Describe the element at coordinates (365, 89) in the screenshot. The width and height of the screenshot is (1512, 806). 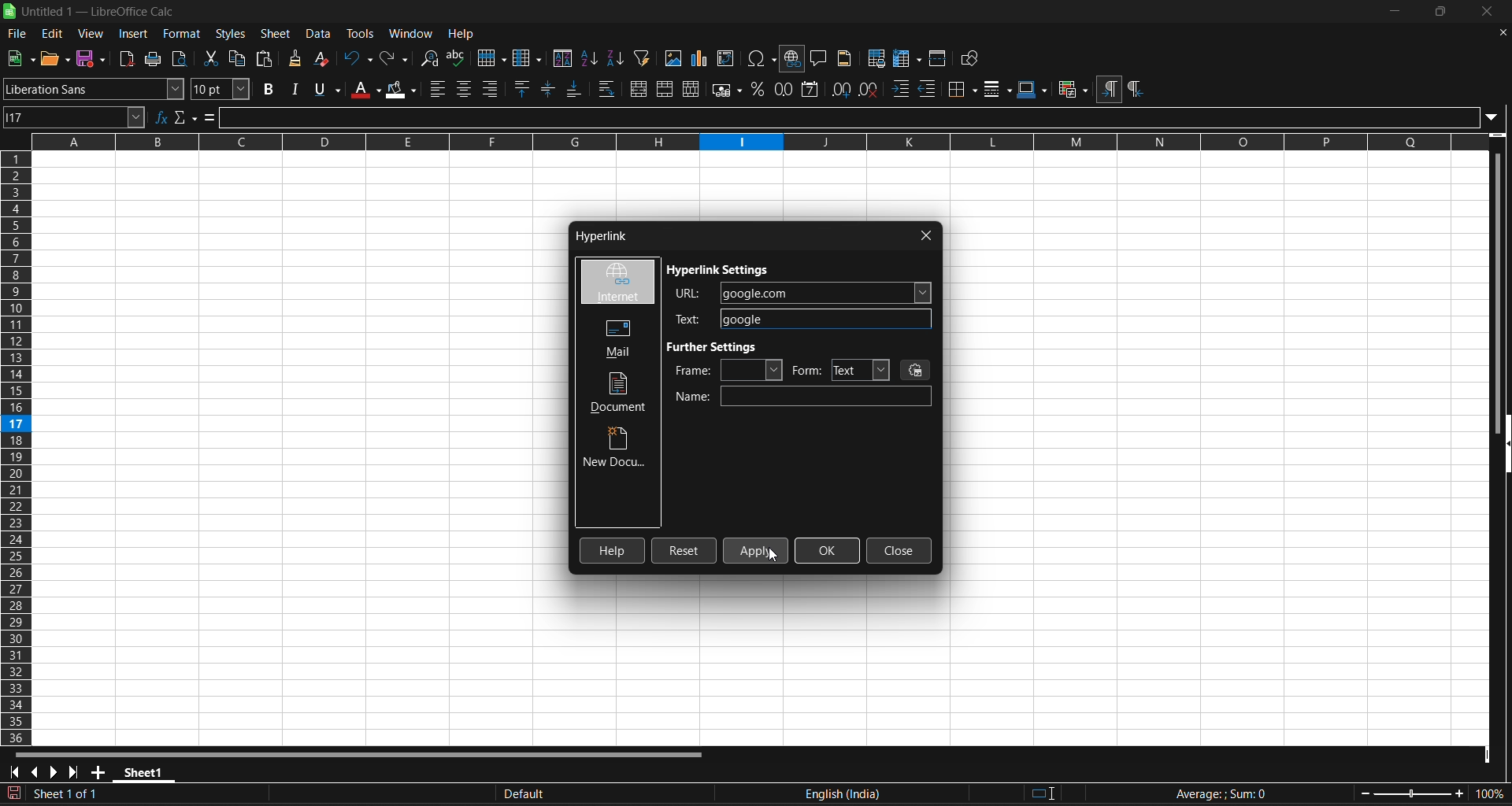
I see `font color` at that location.